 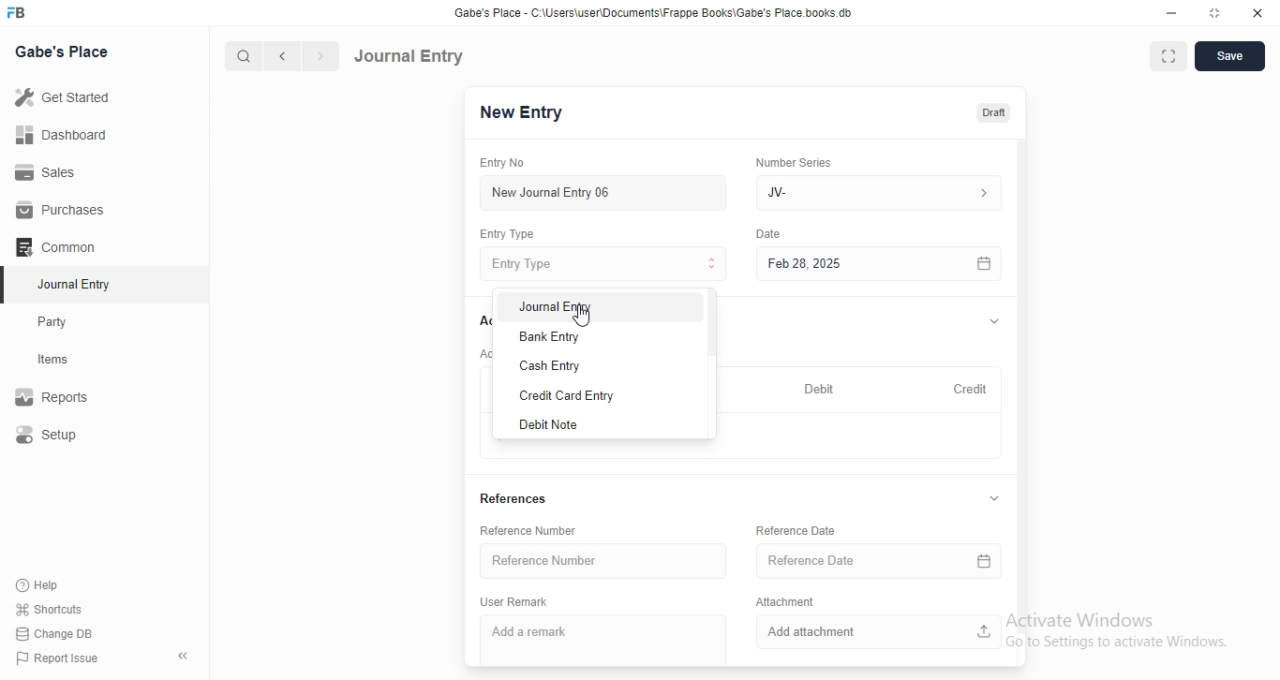 What do you see at coordinates (65, 286) in the screenshot?
I see `Journal Entry` at bounding box center [65, 286].